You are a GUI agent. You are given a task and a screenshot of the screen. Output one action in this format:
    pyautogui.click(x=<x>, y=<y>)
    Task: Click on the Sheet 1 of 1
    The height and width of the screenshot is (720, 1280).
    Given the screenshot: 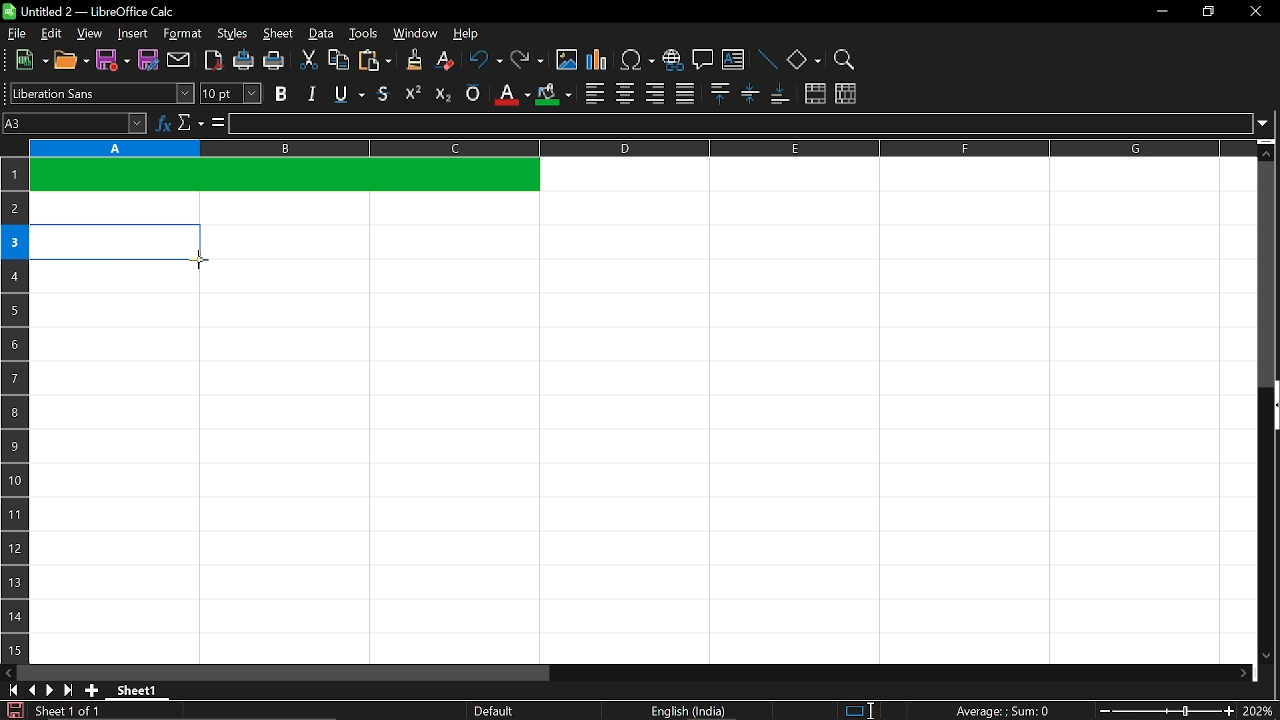 What is the action you would take?
    pyautogui.click(x=68, y=711)
    